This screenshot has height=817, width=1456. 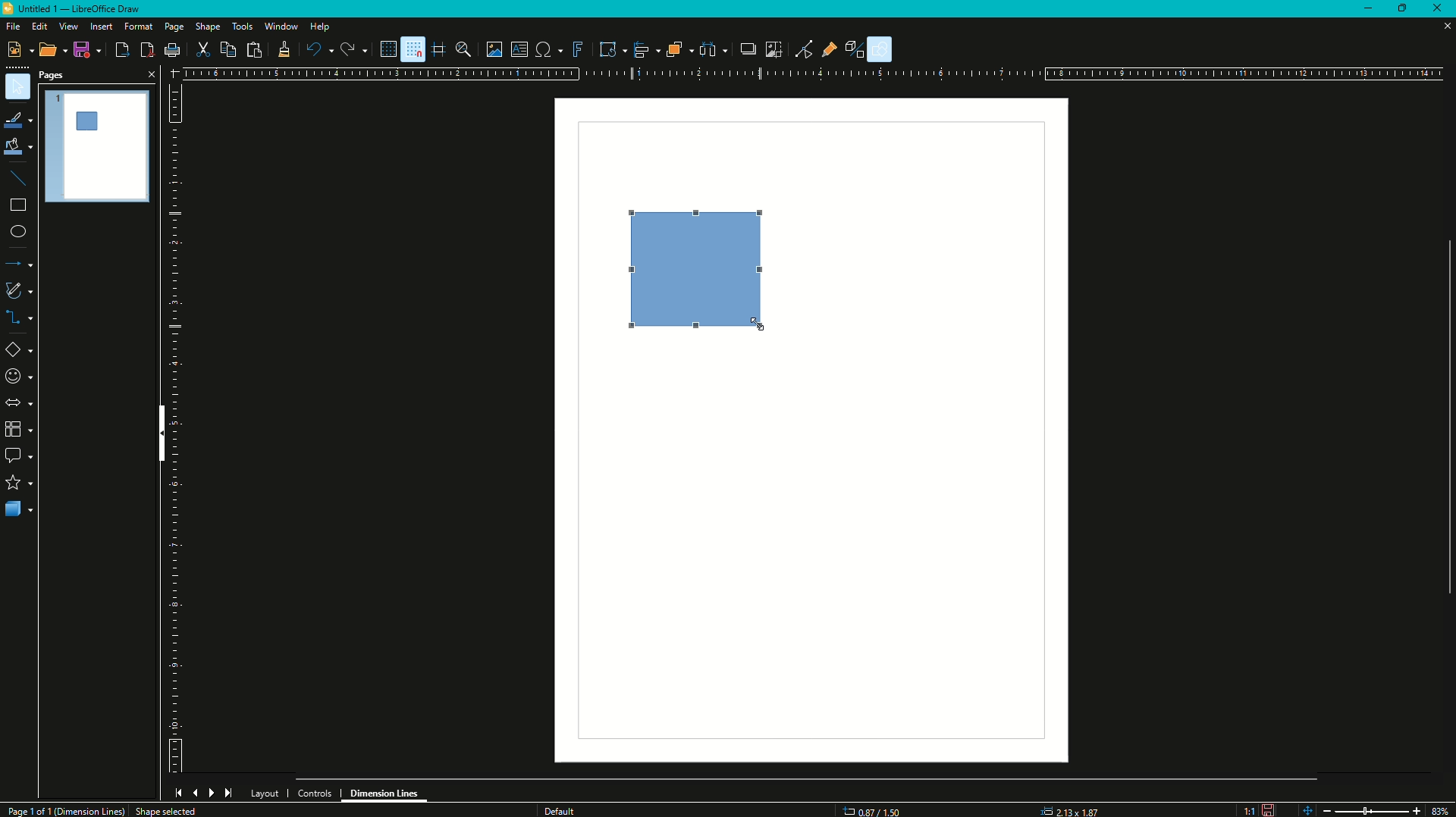 What do you see at coordinates (1443, 415) in the screenshot?
I see `Scroll` at bounding box center [1443, 415].